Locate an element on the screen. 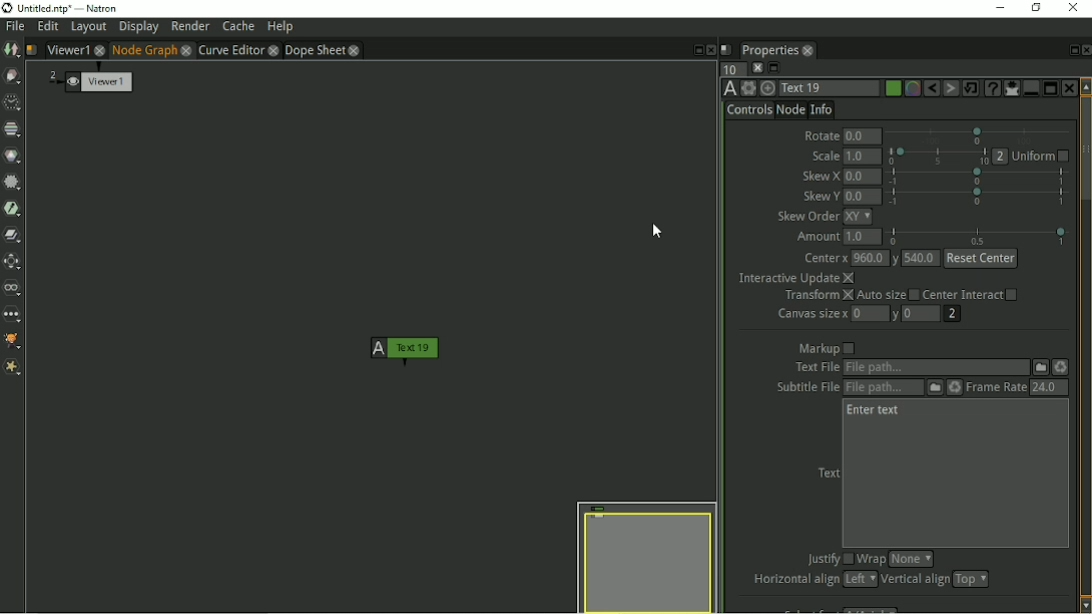  Node is located at coordinates (790, 110).